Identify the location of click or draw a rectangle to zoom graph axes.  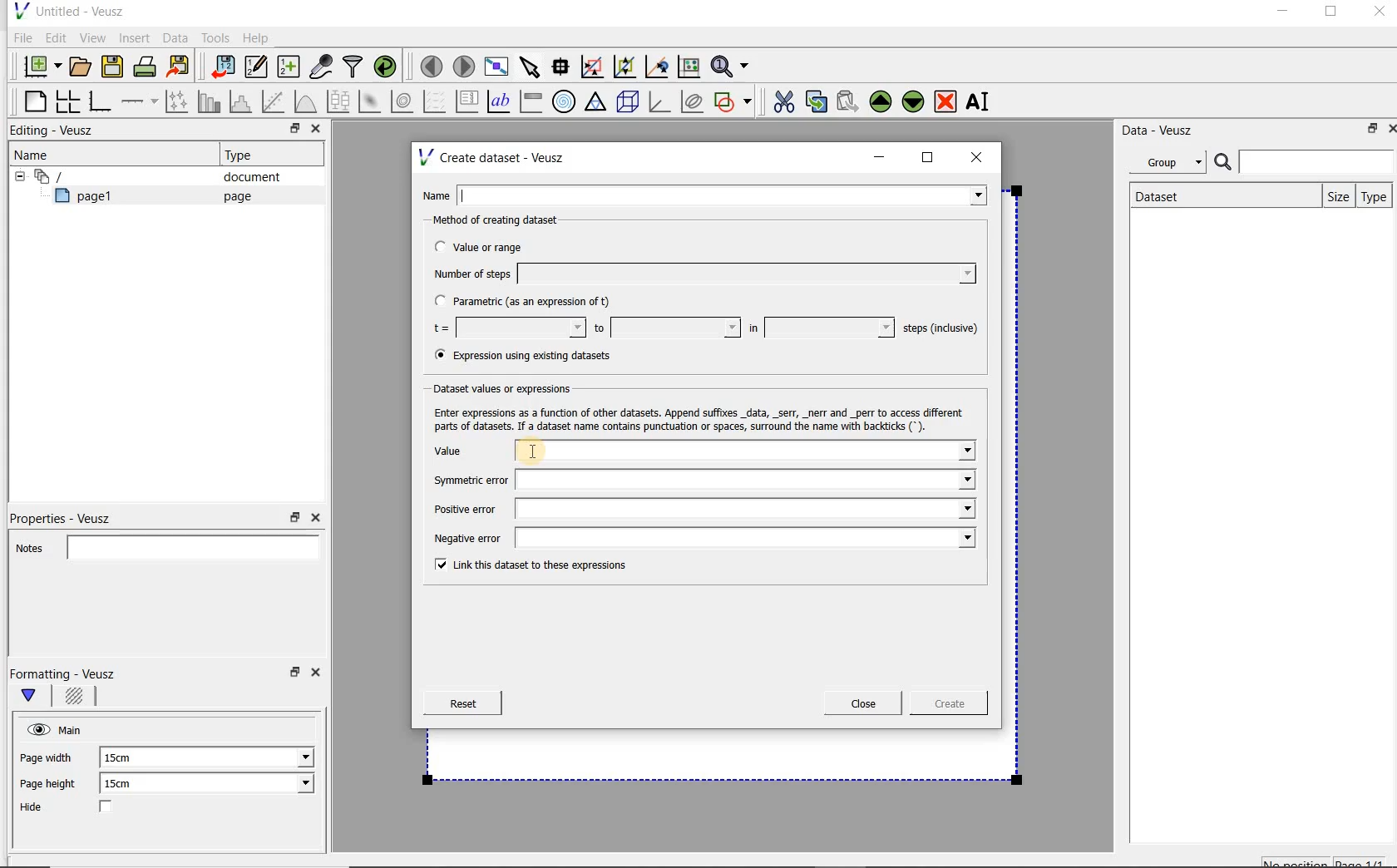
(595, 67).